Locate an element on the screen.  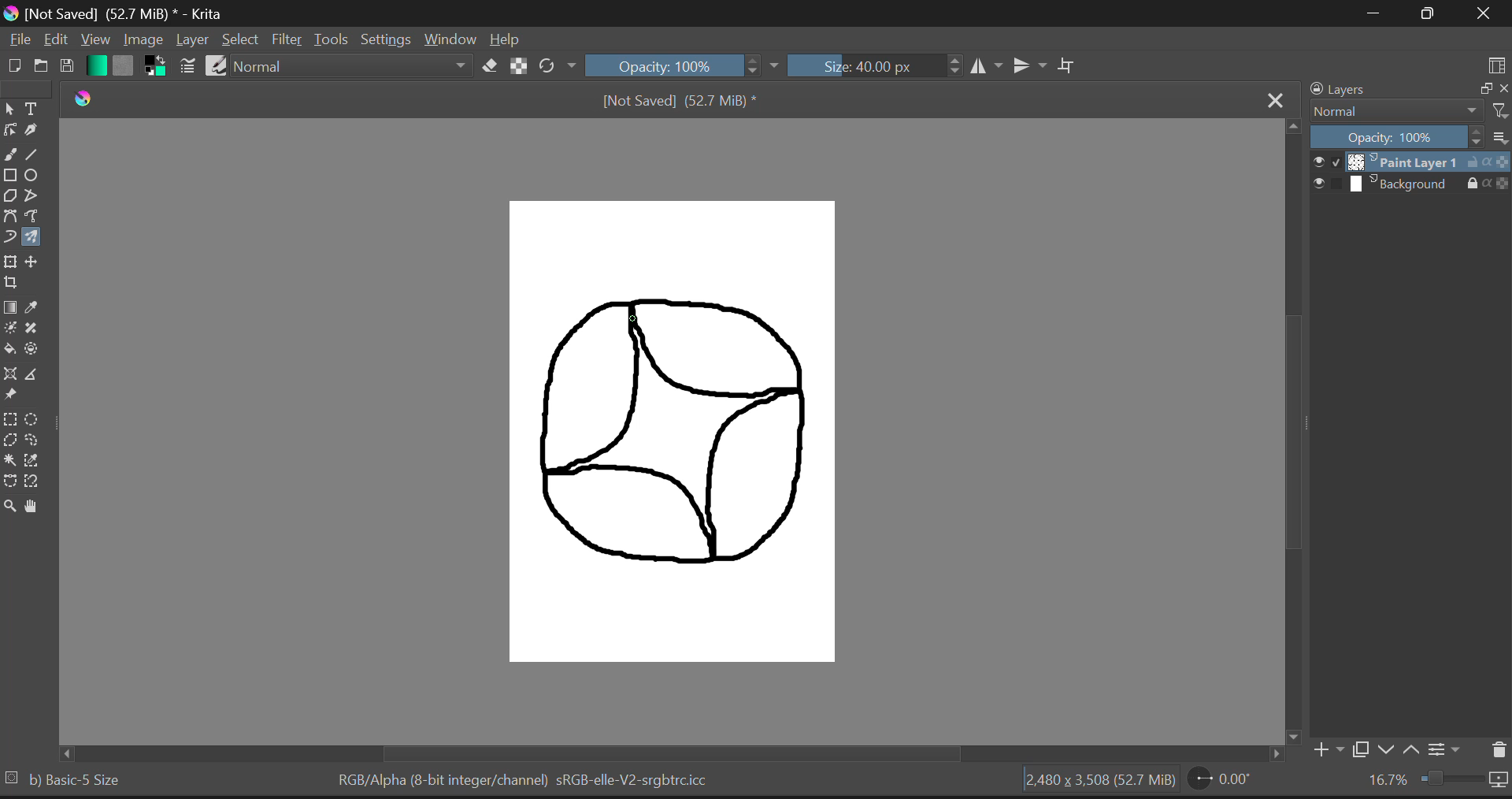
16.7% is located at coordinates (1432, 783).